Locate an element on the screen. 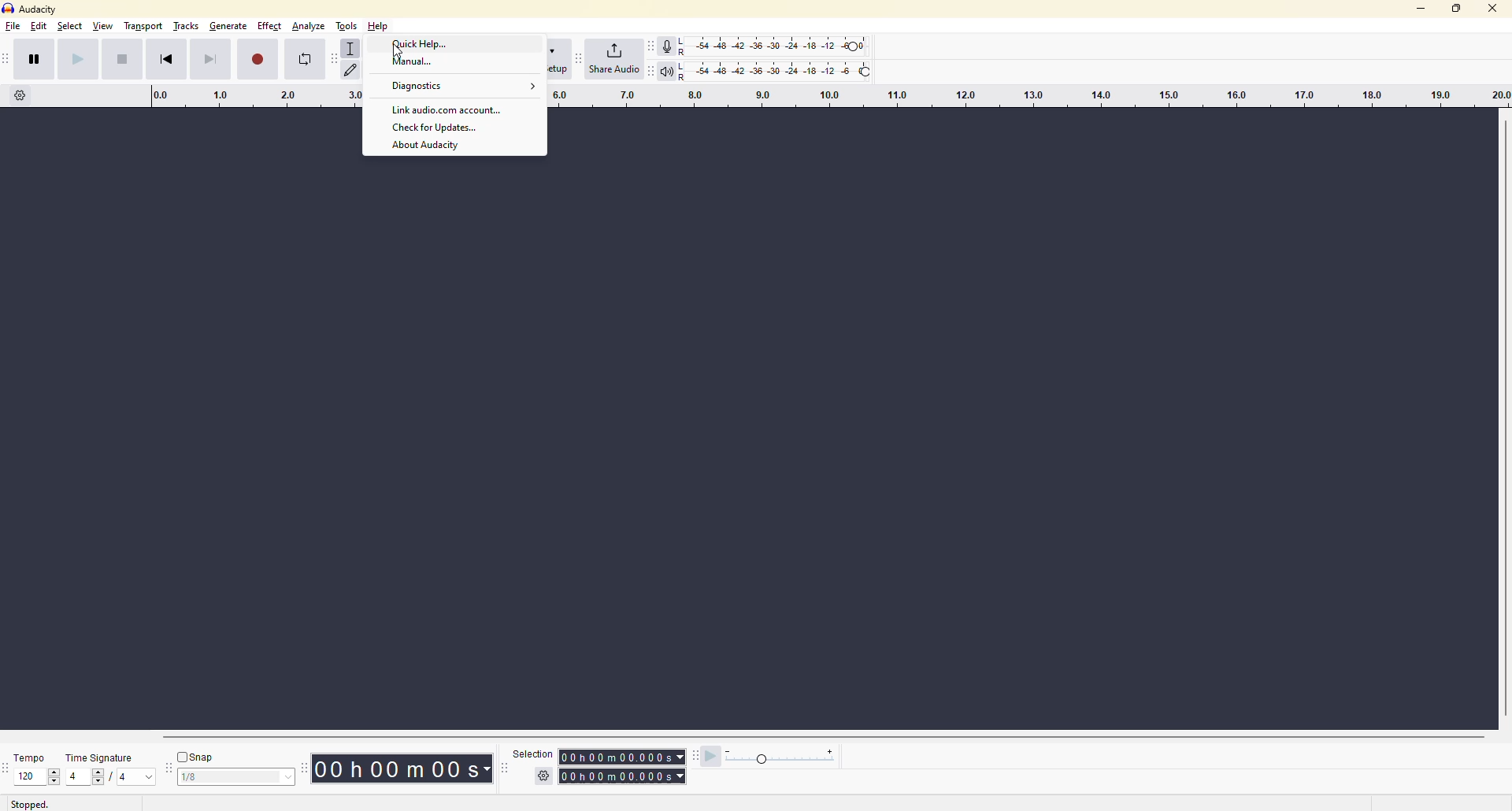  temps is located at coordinates (33, 757).